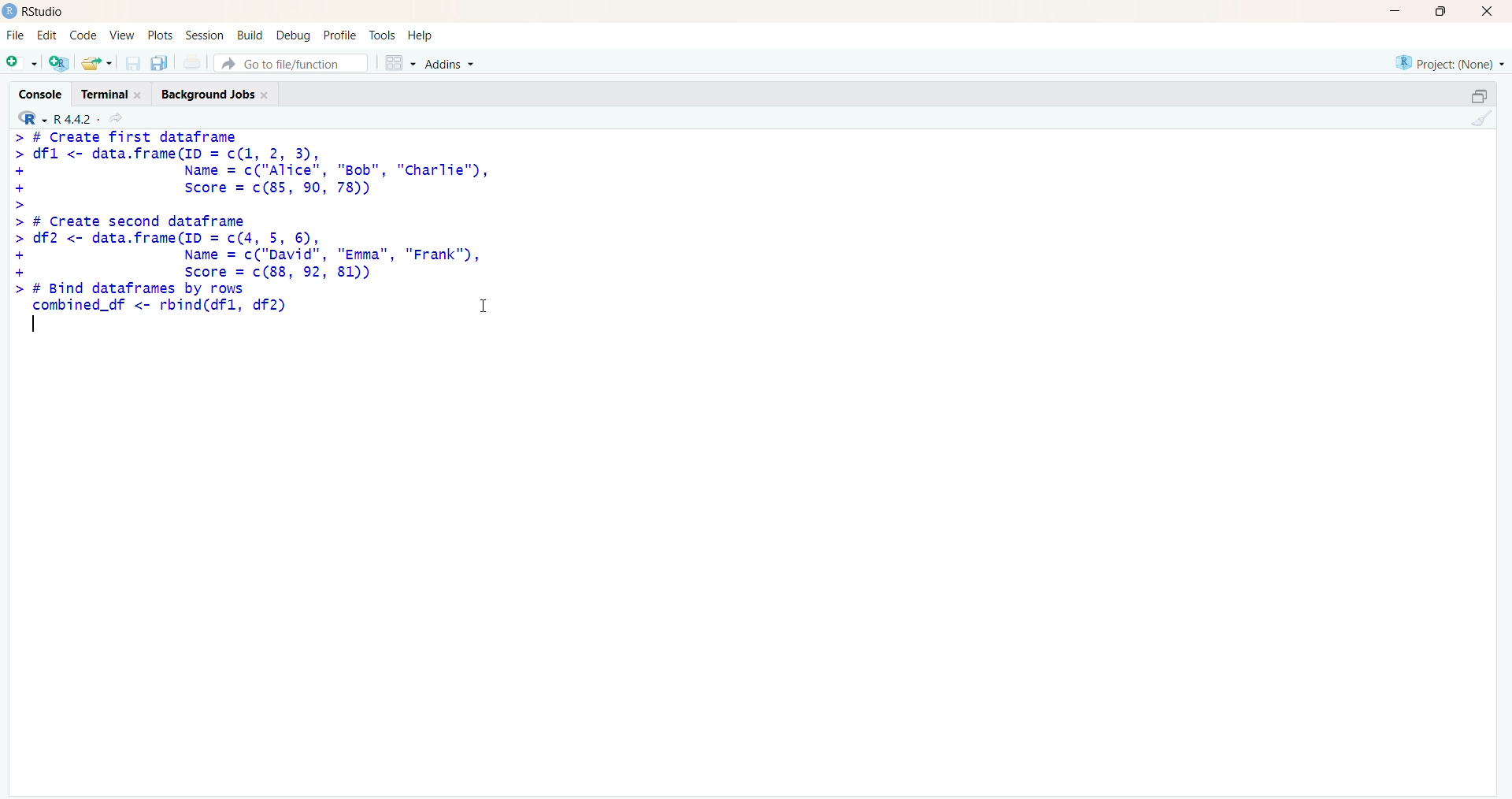 Image resolution: width=1512 pixels, height=799 pixels. Describe the element at coordinates (98, 63) in the screenshot. I see `open exixting file` at that location.